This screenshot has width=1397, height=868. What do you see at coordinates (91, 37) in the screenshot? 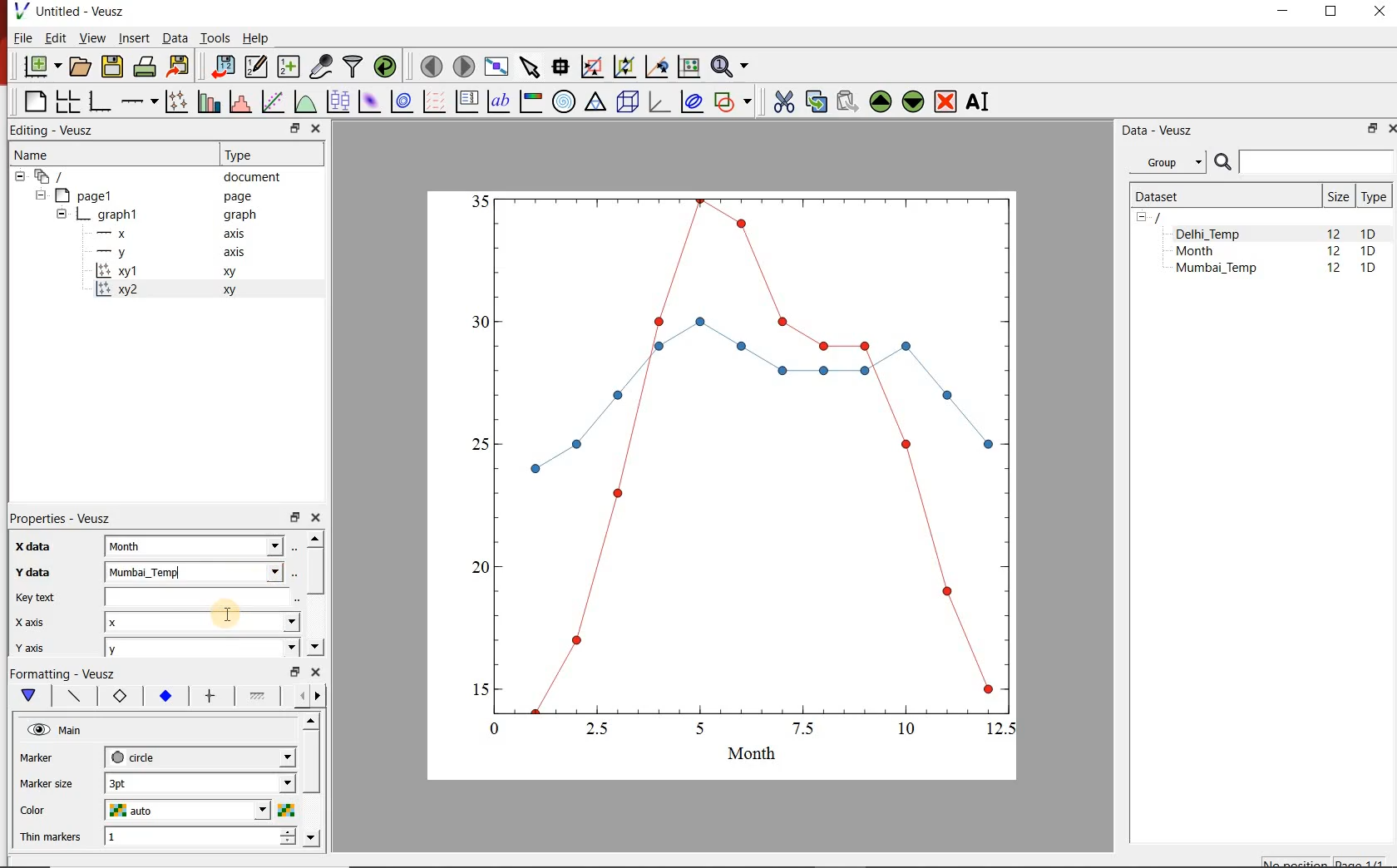
I see `View` at bounding box center [91, 37].